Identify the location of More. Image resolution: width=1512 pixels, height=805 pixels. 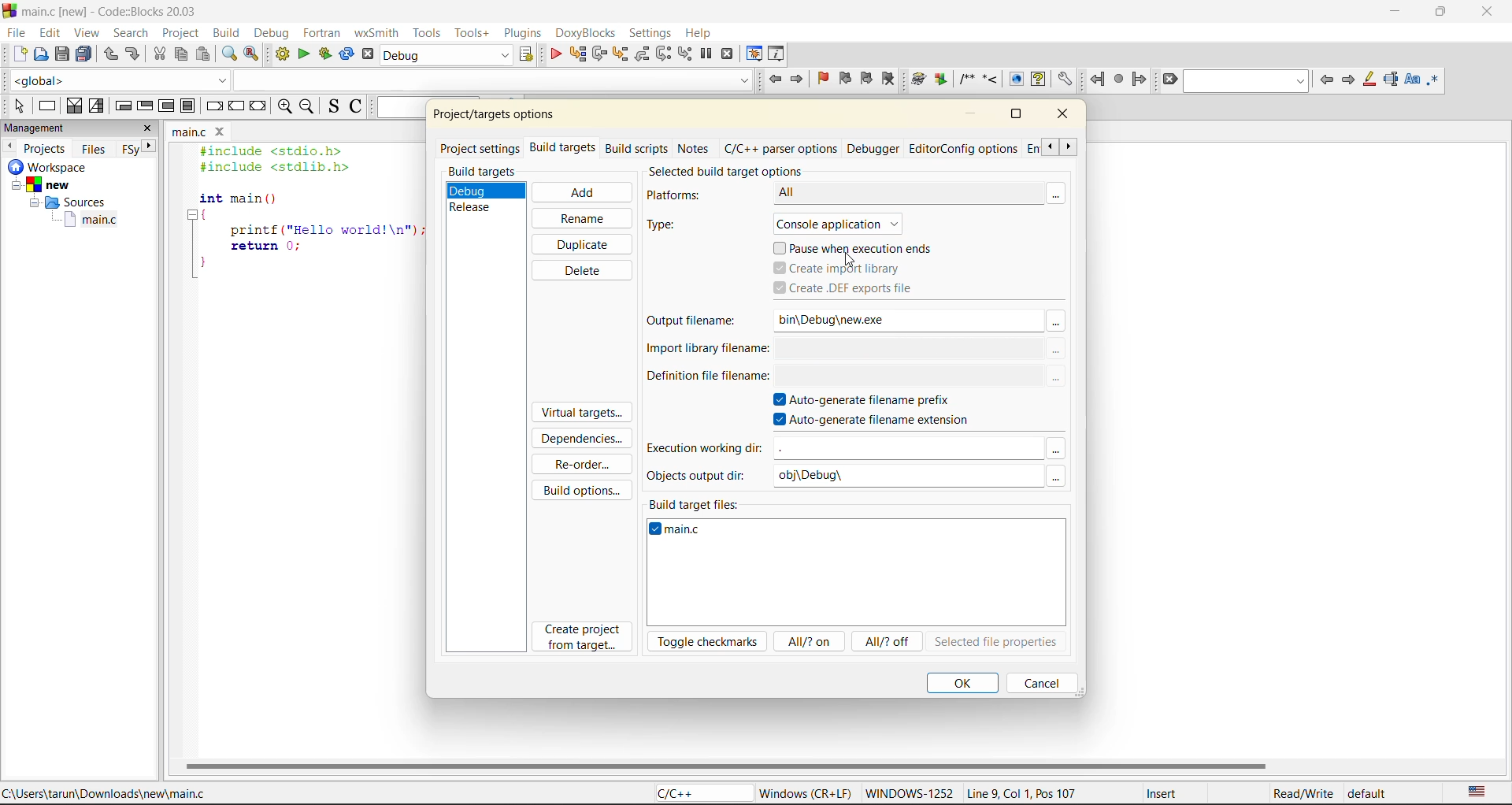
(1055, 321).